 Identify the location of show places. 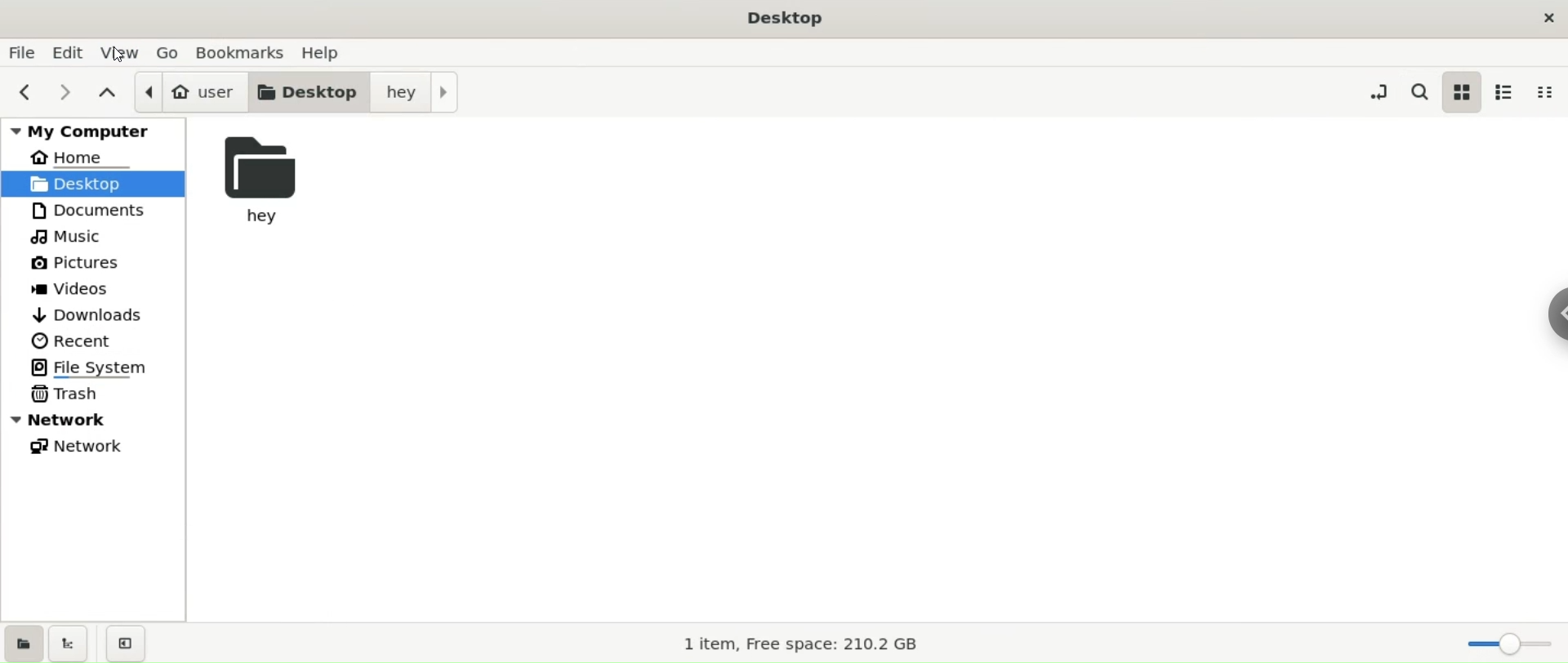
(23, 642).